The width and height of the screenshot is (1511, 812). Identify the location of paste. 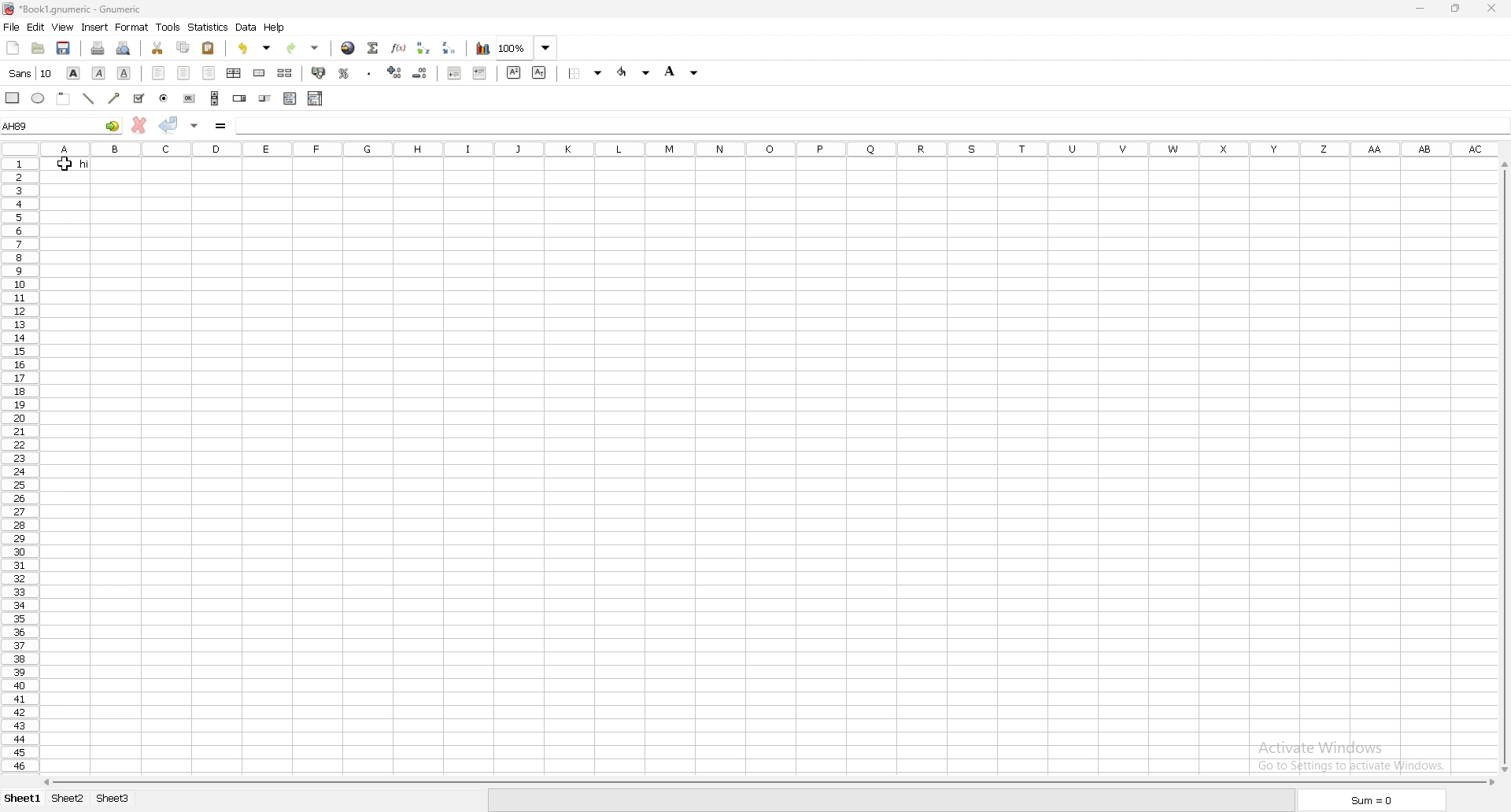
(209, 47).